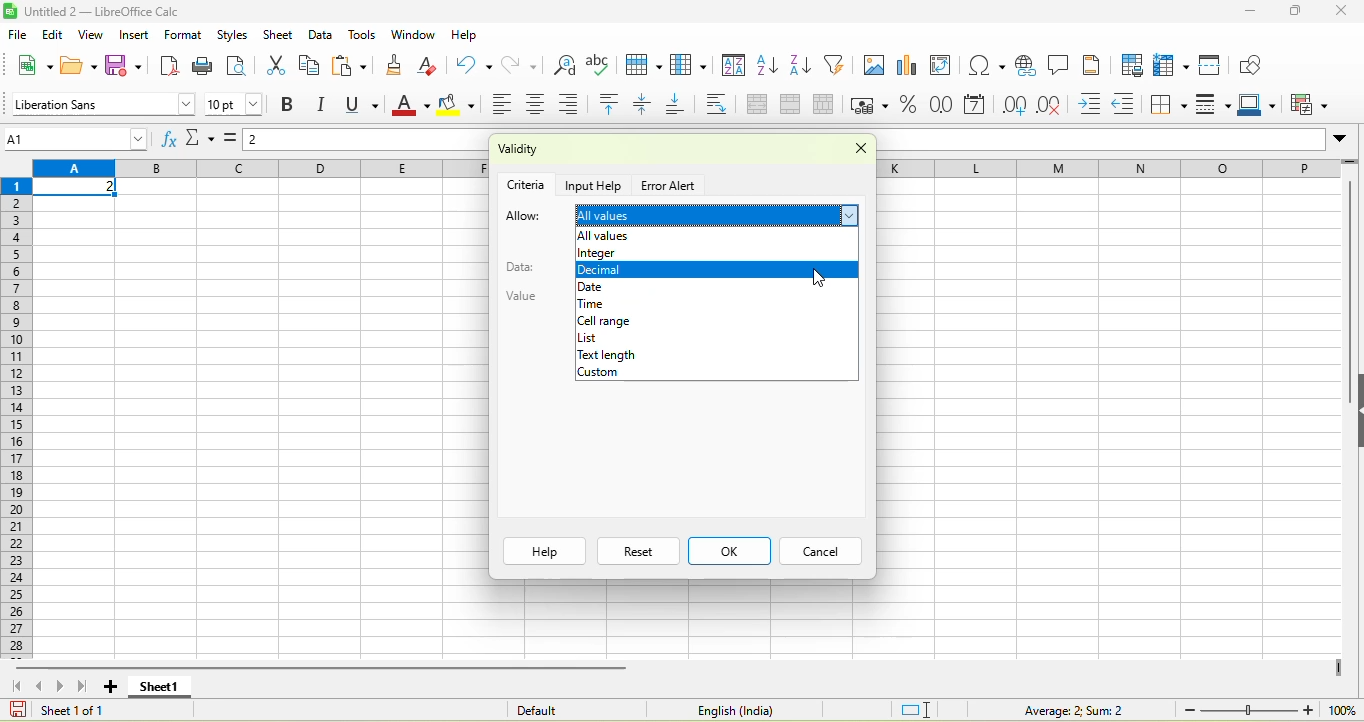 The height and width of the screenshot is (722, 1364). I want to click on merge, so click(796, 106).